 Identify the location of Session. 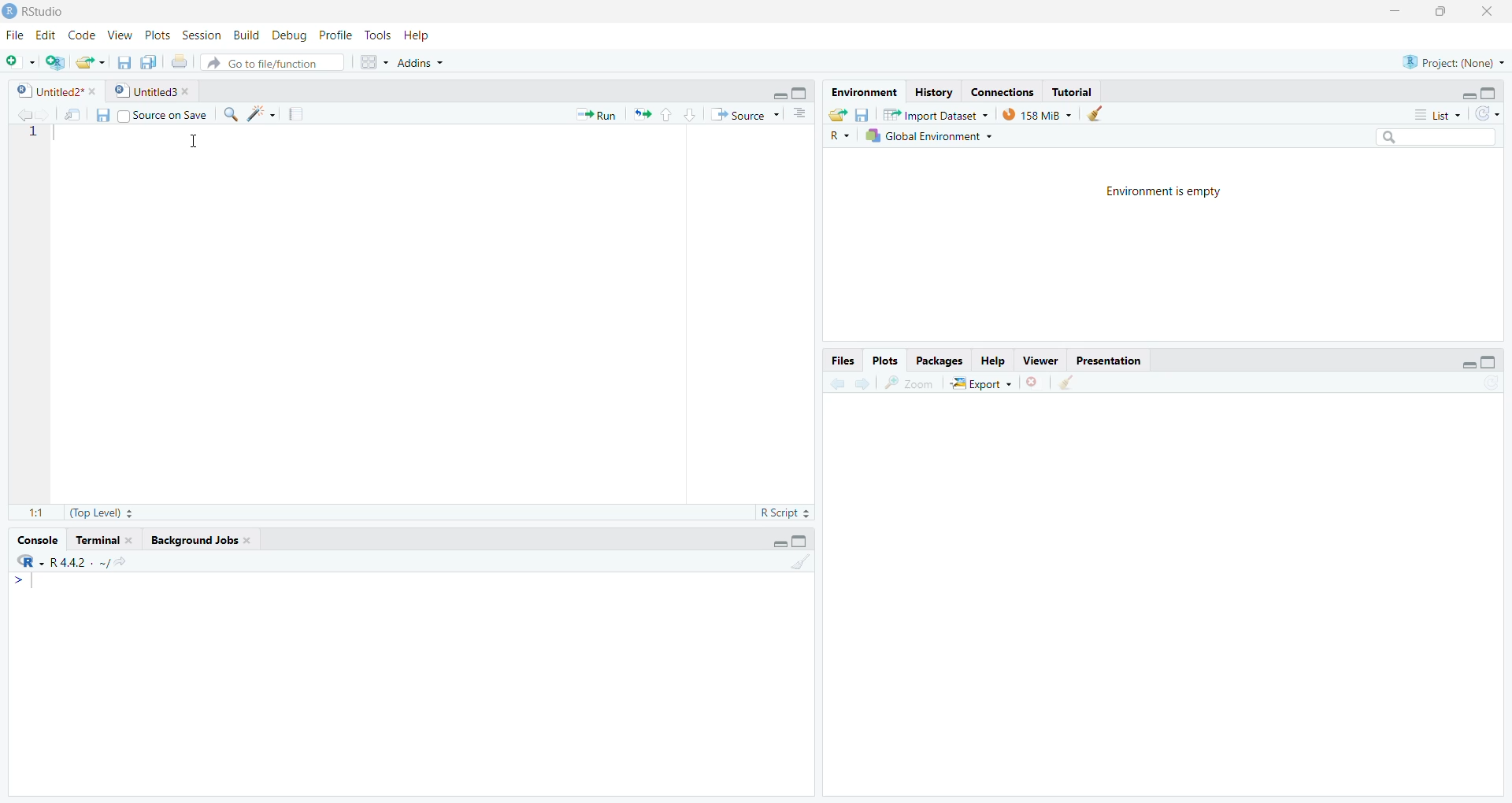
(198, 34).